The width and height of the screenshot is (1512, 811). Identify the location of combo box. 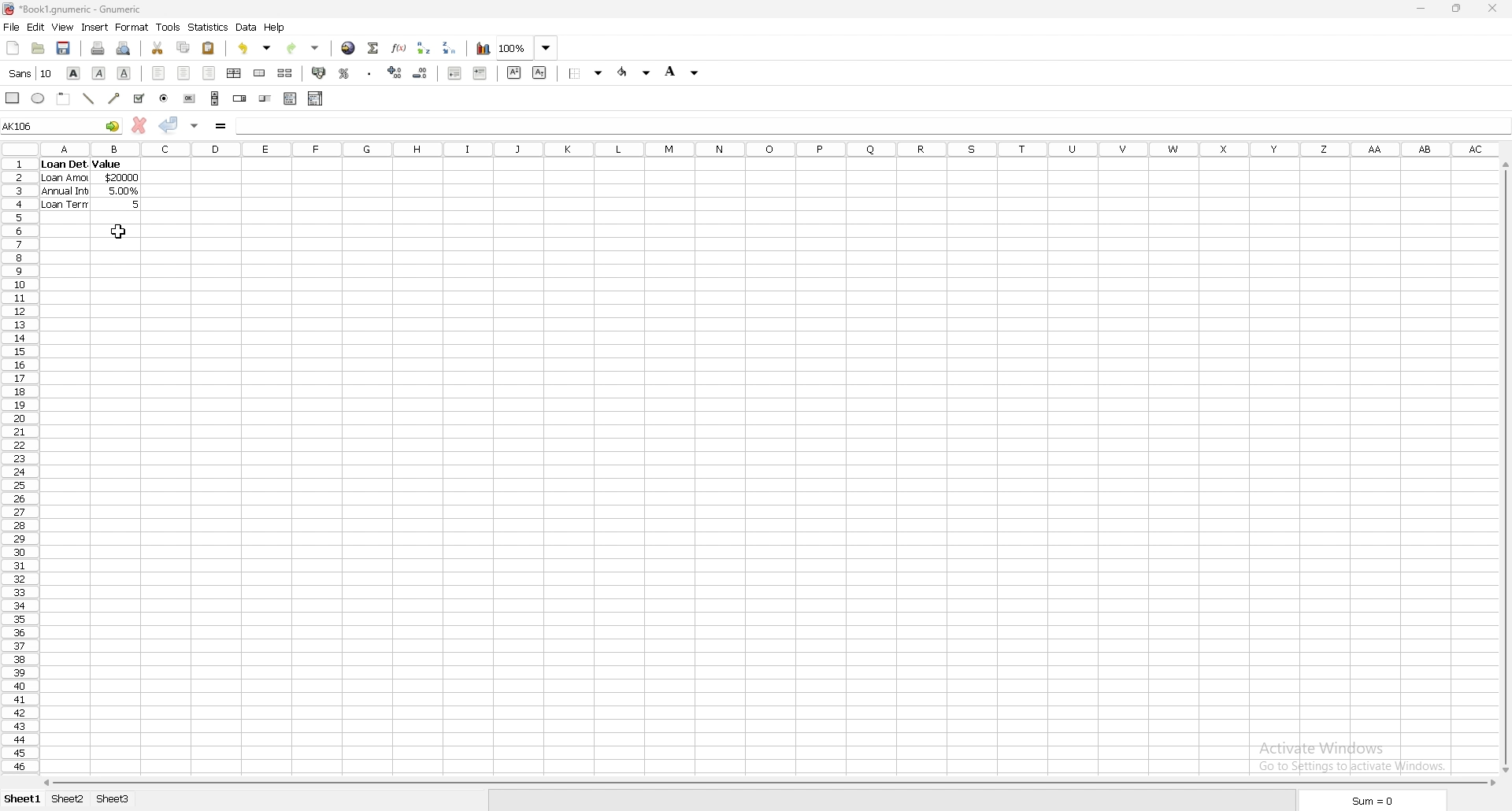
(317, 98).